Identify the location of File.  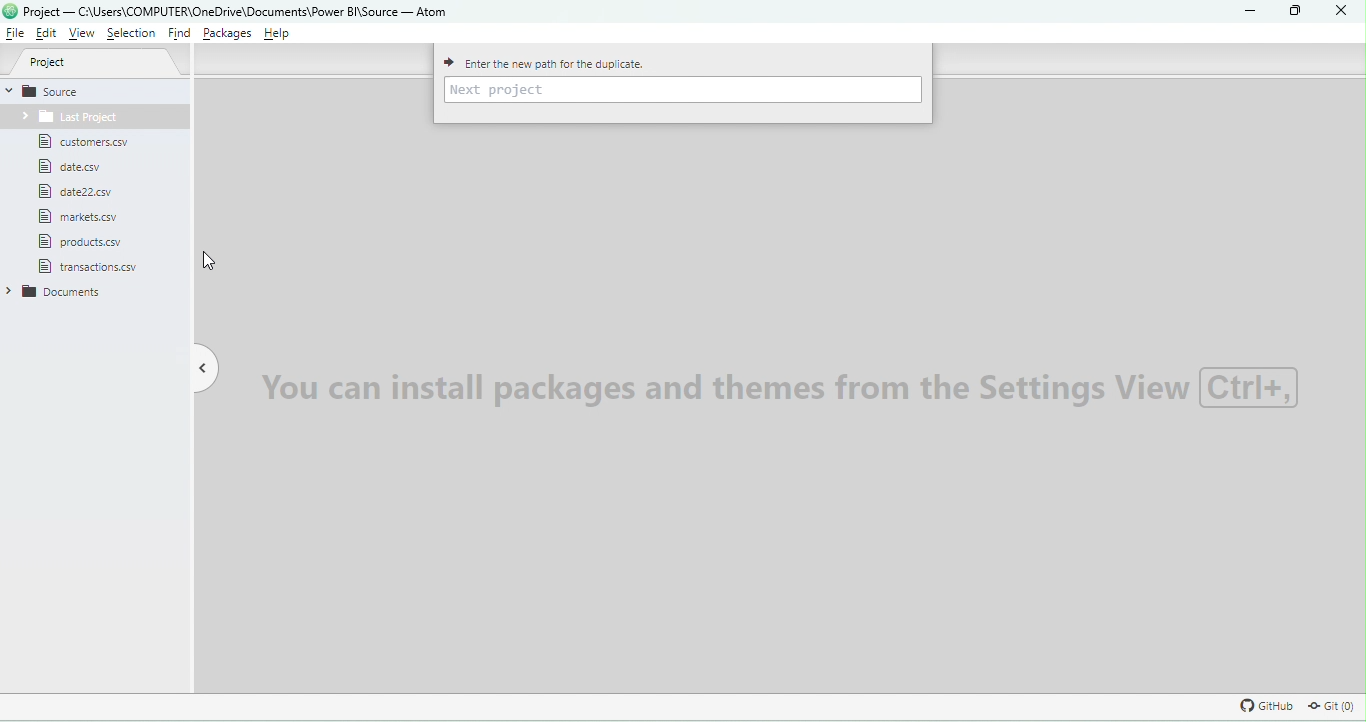
(74, 167).